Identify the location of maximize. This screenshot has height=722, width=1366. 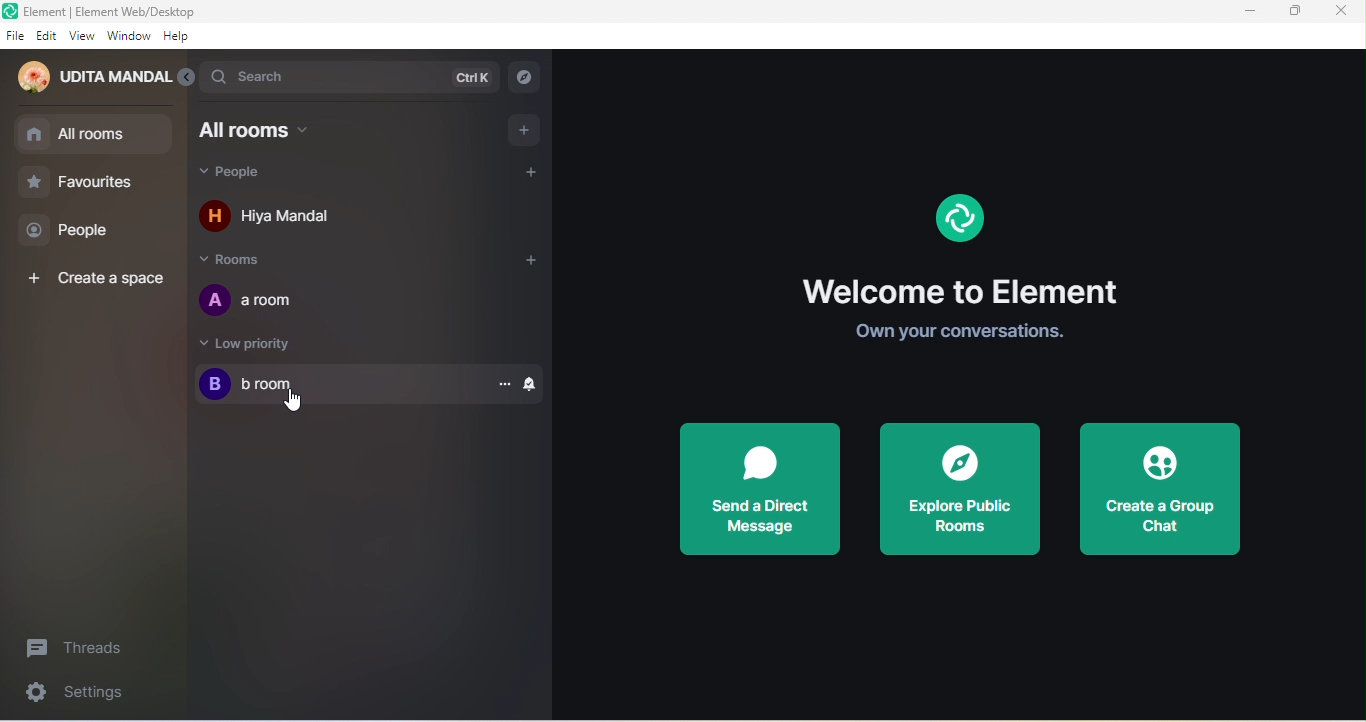
(1299, 12).